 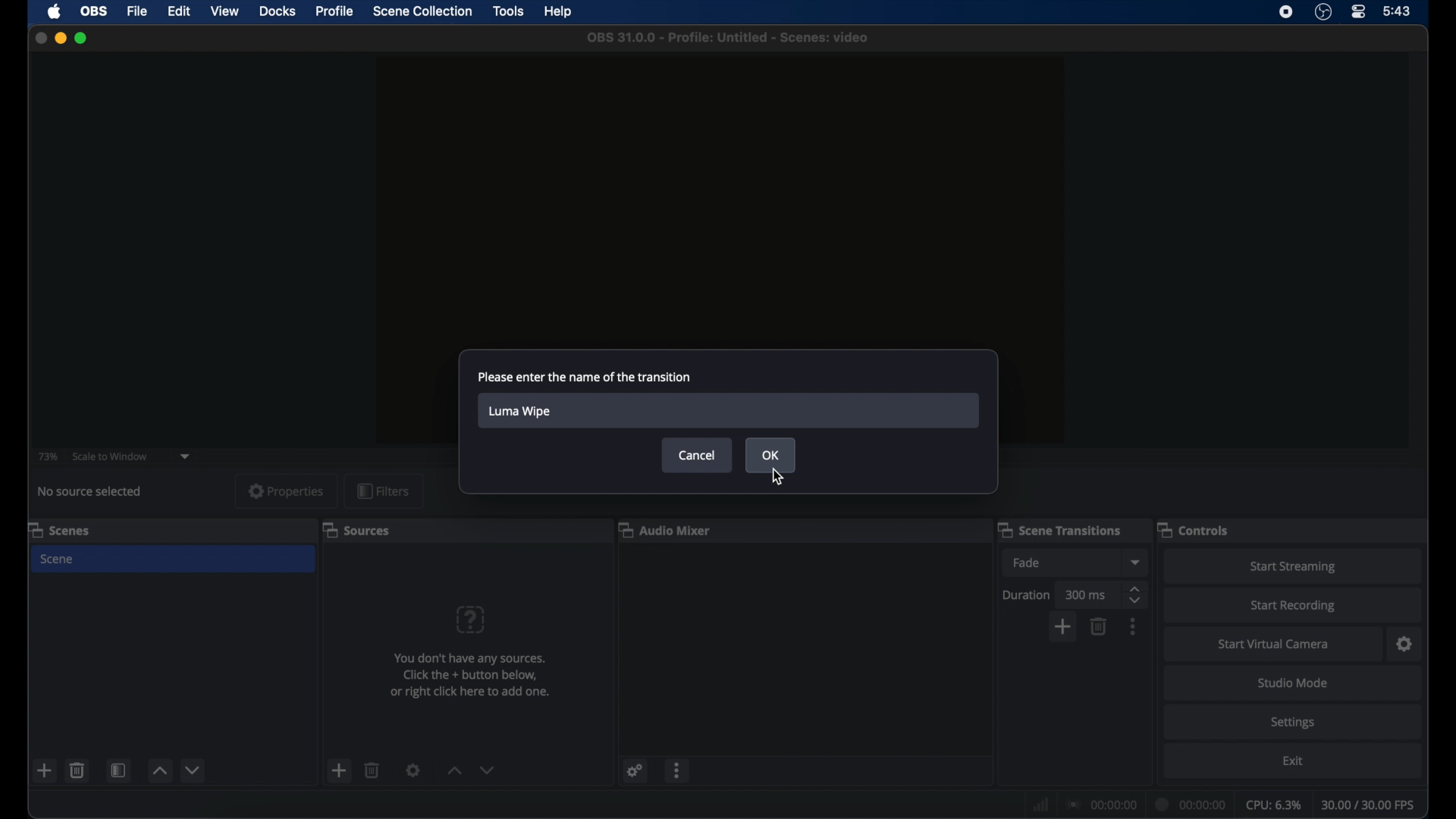 I want to click on help, so click(x=559, y=10).